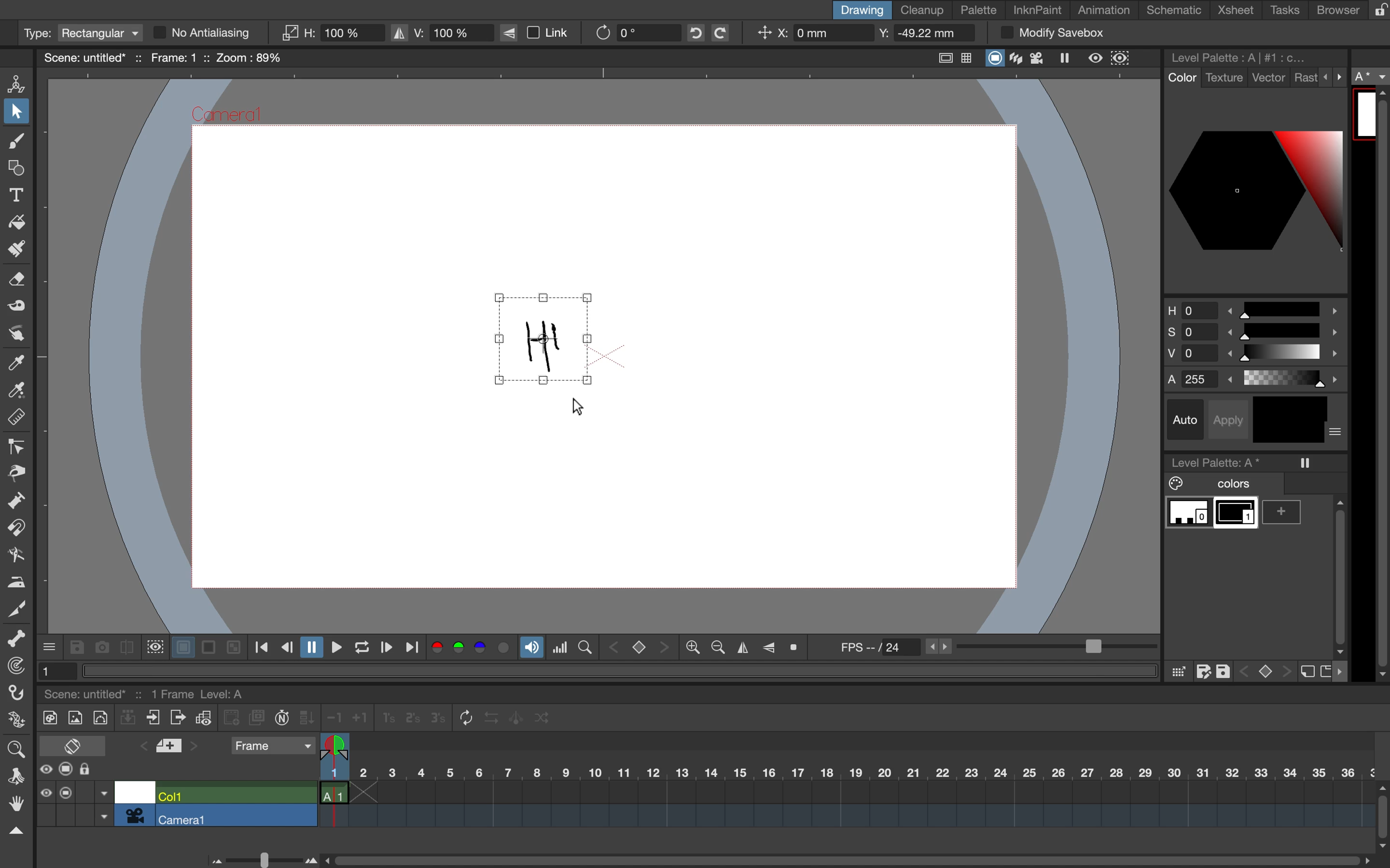 This screenshot has width=1390, height=868. I want to click on geometric tool, so click(16, 169).